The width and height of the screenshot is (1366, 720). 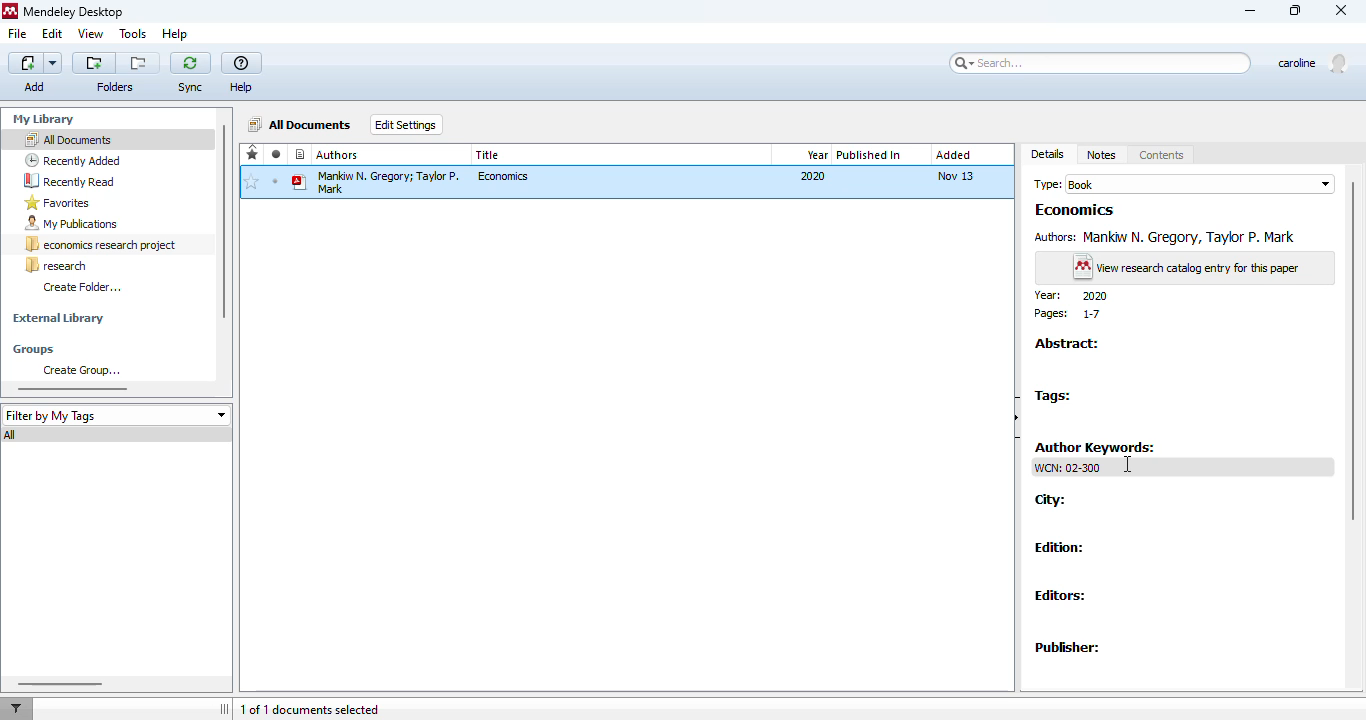 What do you see at coordinates (817, 155) in the screenshot?
I see `year` at bounding box center [817, 155].